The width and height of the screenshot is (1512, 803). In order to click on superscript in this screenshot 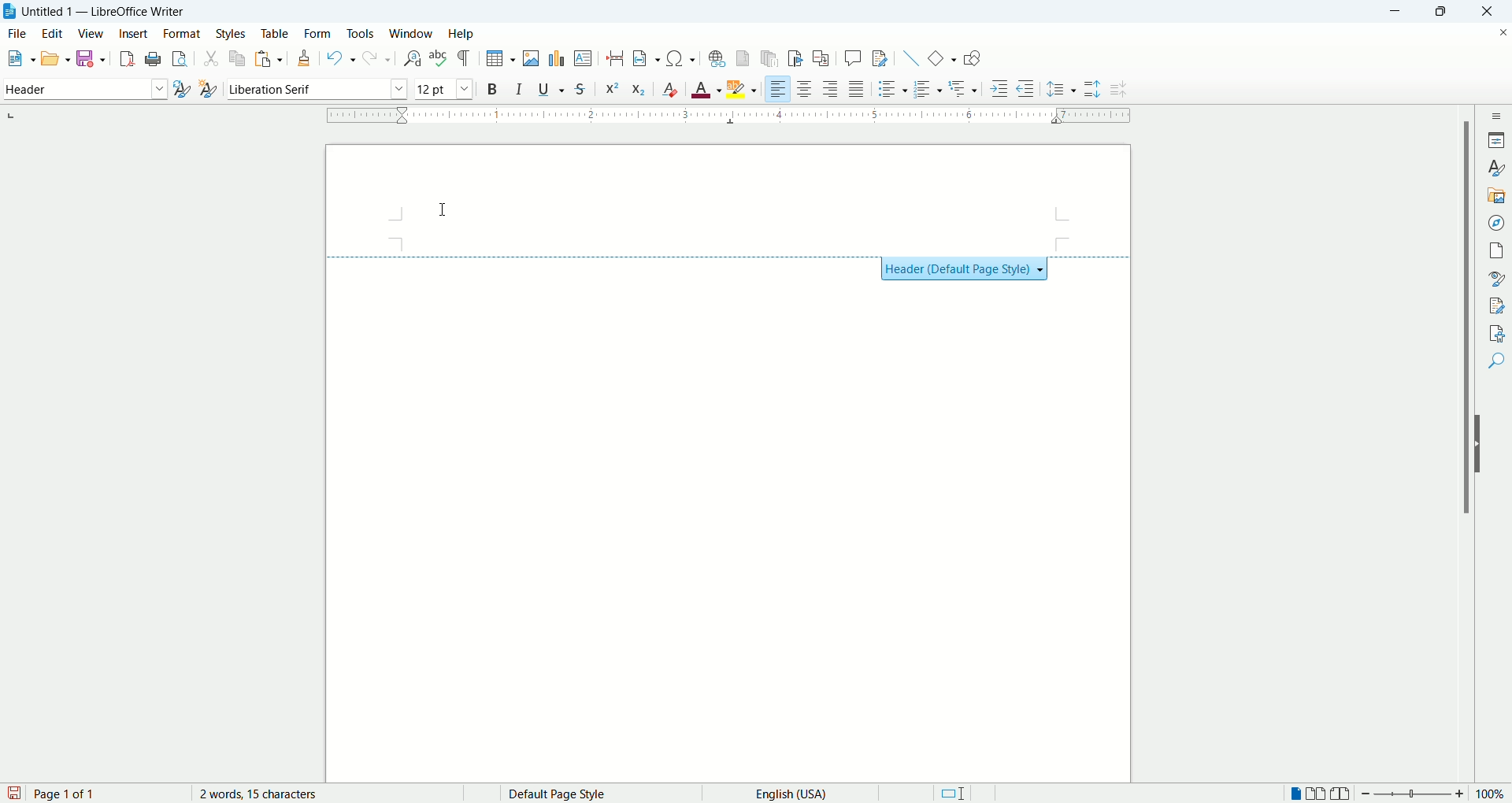, I will do `click(613, 90)`.